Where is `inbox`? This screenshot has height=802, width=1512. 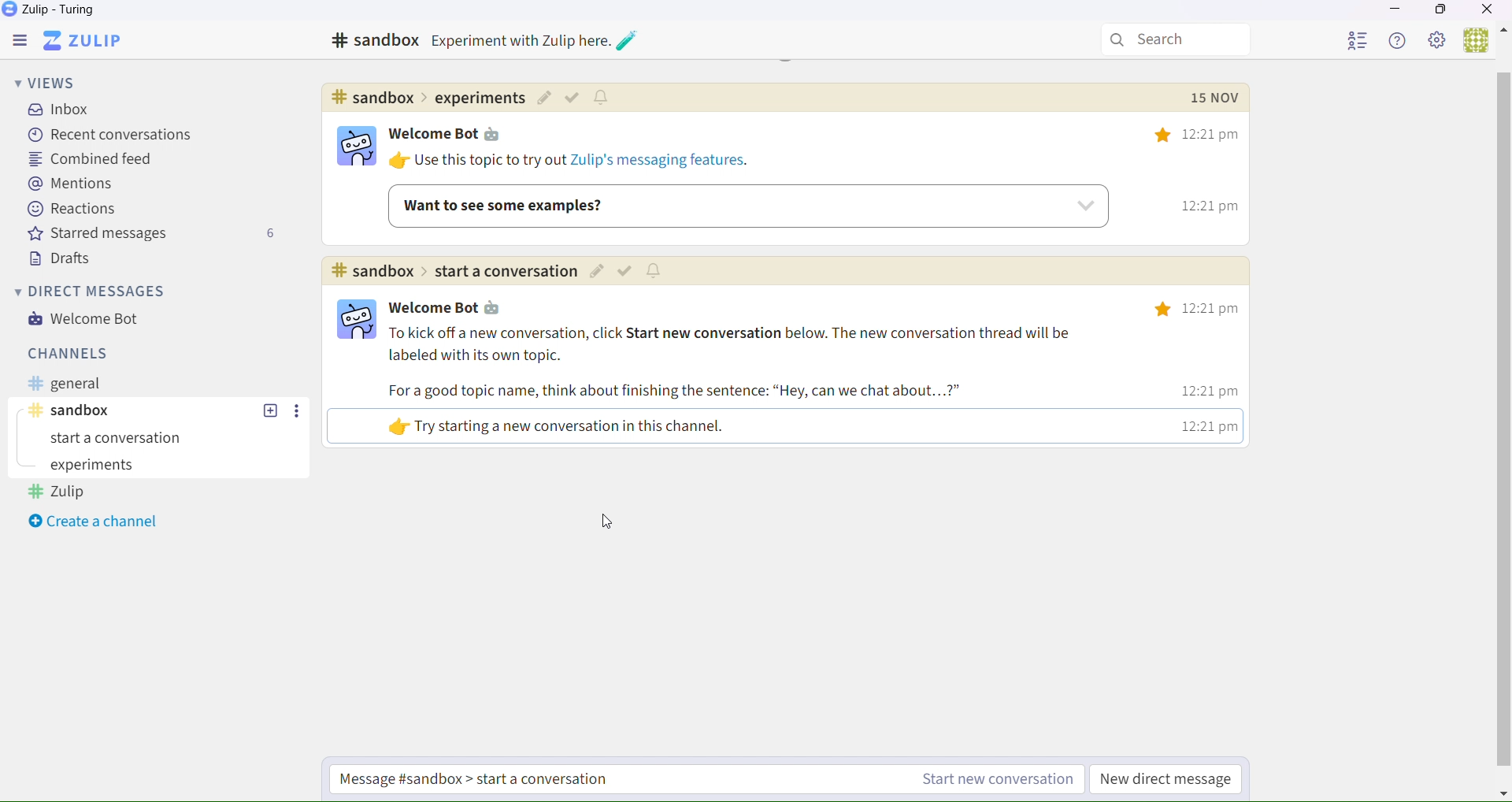 inbox is located at coordinates (63, 111).